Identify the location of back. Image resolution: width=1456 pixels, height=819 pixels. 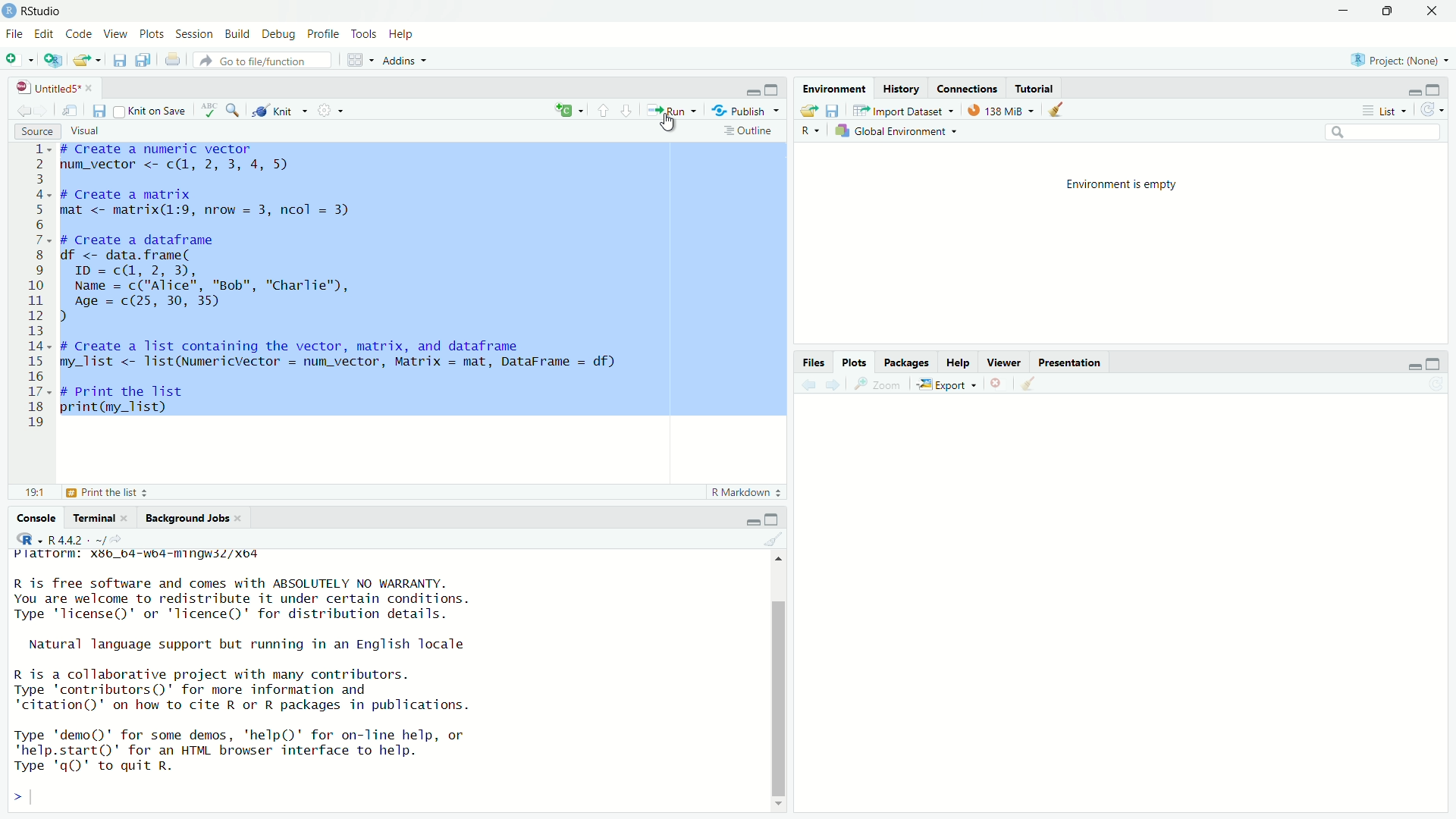
(26, 110).